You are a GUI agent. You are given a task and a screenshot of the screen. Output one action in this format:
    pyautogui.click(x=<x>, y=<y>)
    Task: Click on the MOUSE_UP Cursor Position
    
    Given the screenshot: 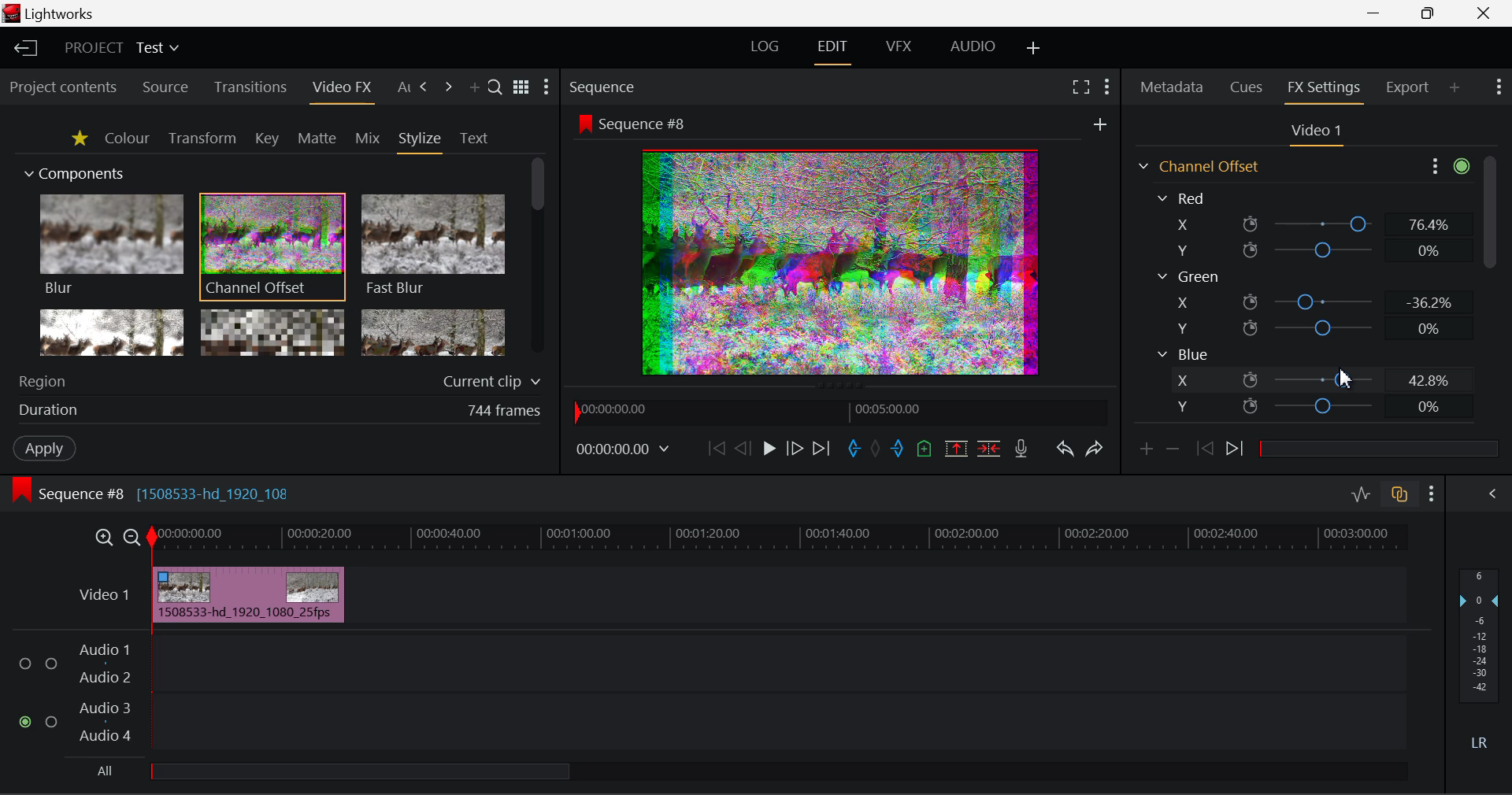 What is the action you would take?
    pyautogui.click(x=1346, y=376)
    